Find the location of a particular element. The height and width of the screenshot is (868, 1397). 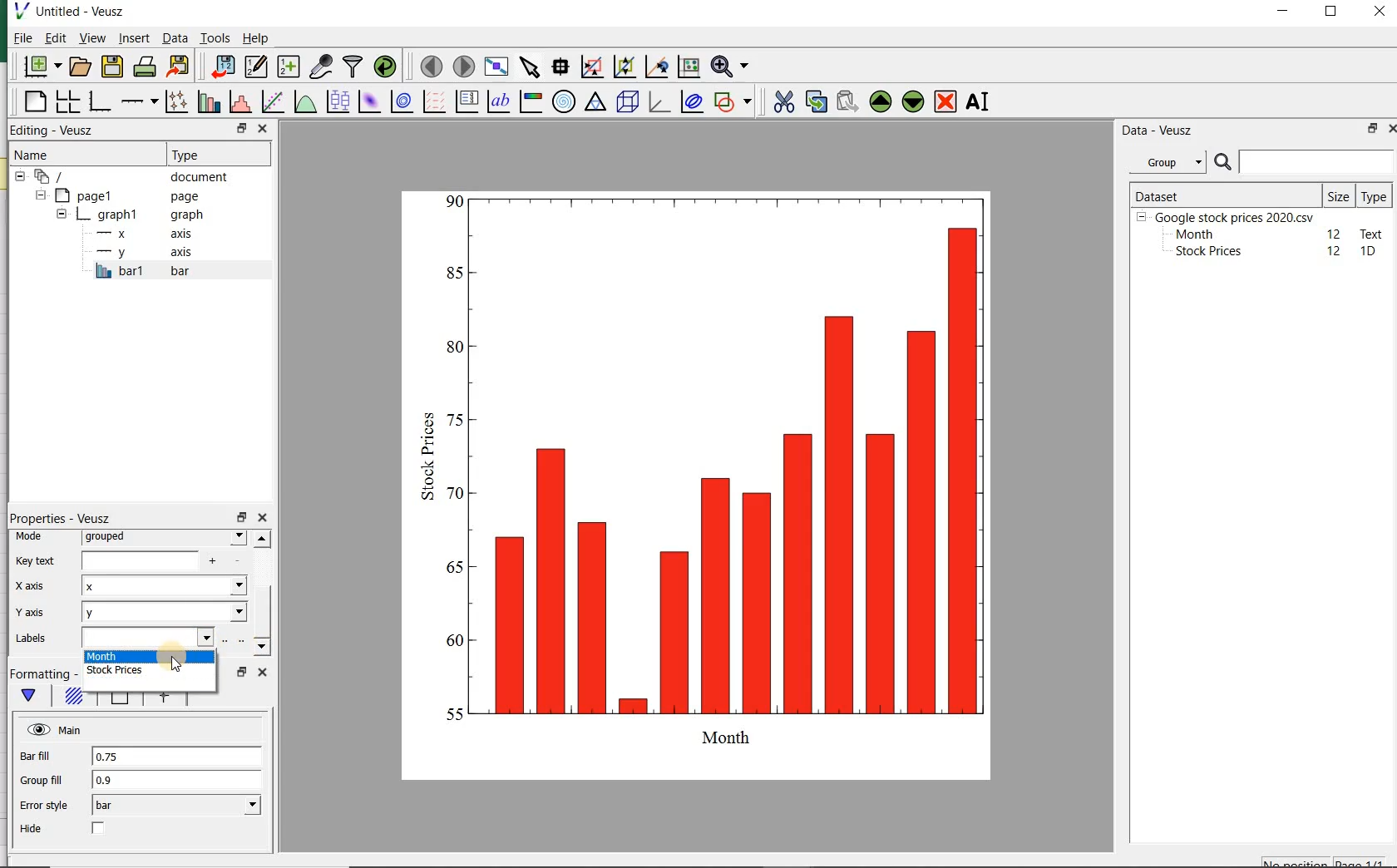

view is located at coordinates (92, 39).